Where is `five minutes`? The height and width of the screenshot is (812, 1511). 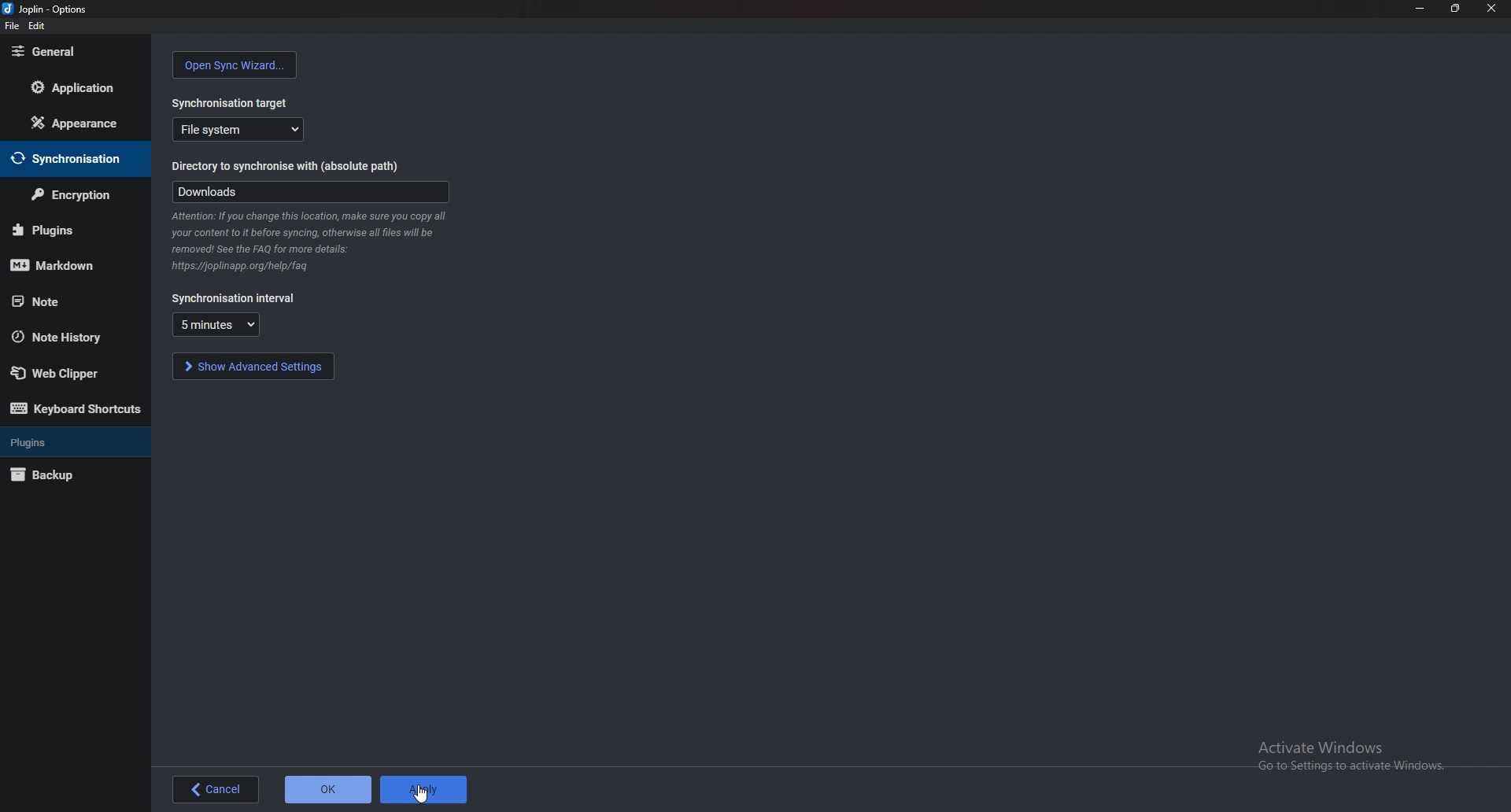
five minutes is located at coordinates (578, 998).